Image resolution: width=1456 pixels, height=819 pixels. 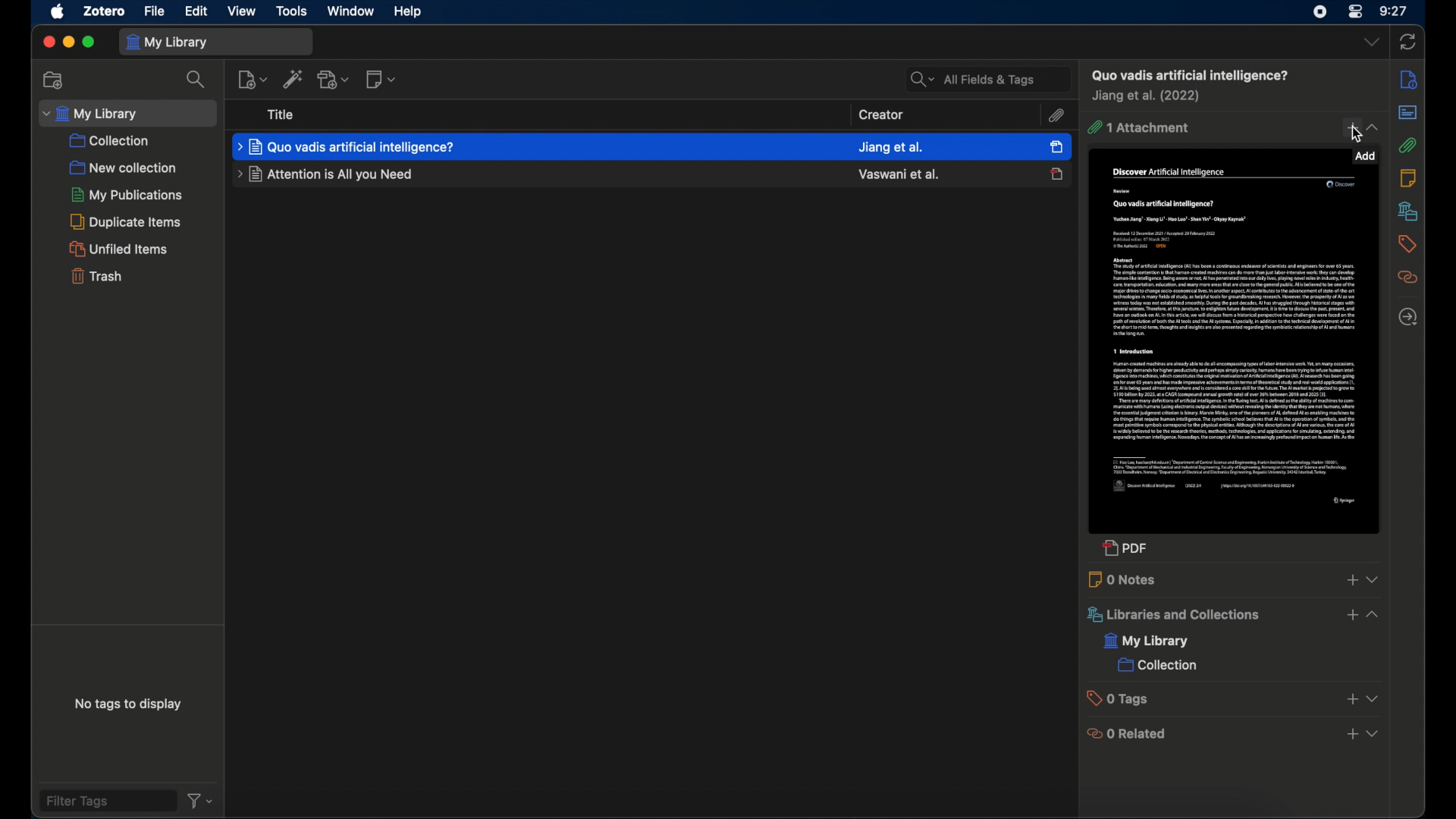 What do you see at coordinates (1122, 698) in the screenshot?
I see `0 tags` at bounding box center [1122, 698].